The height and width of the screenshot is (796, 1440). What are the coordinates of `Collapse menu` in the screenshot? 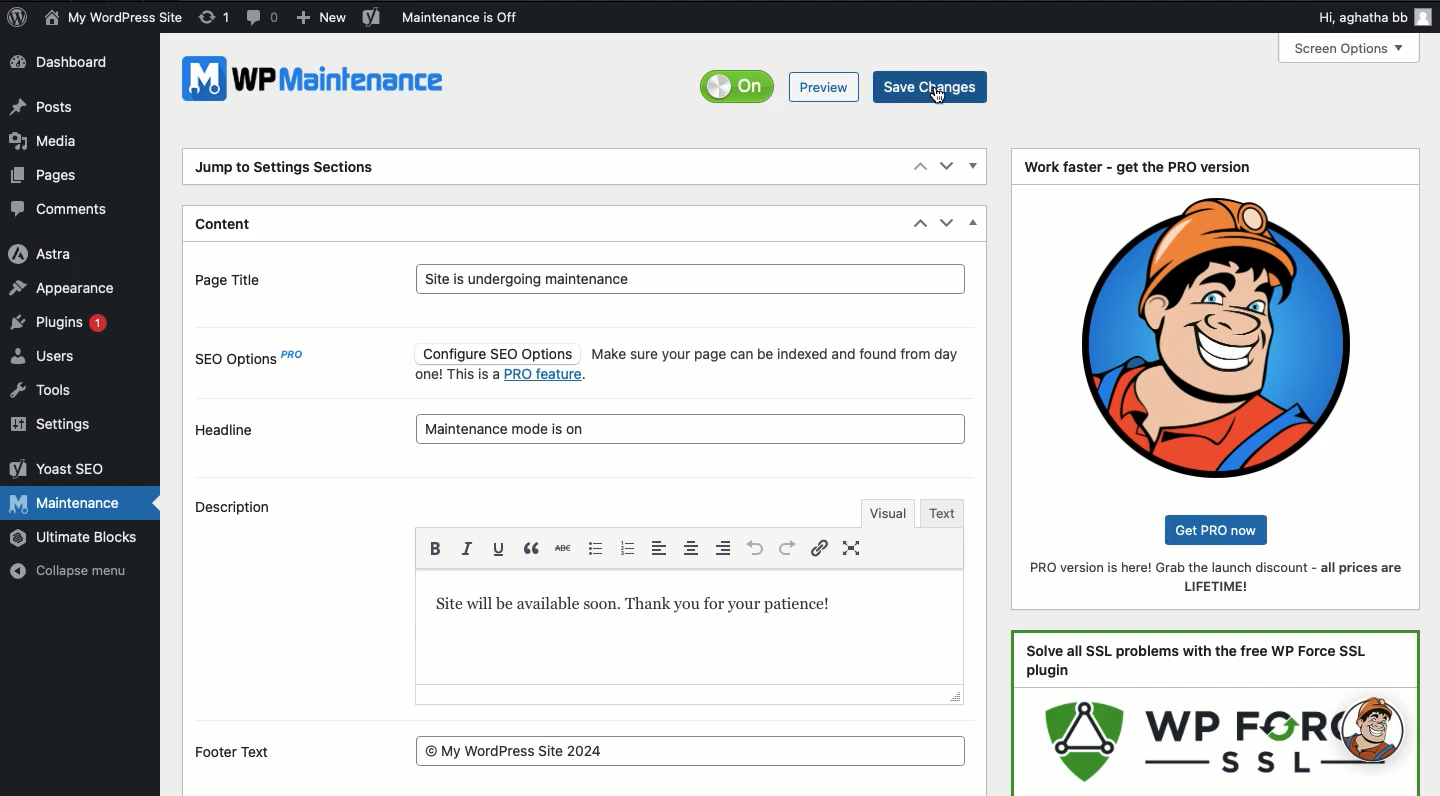 It's located at (67, 571).